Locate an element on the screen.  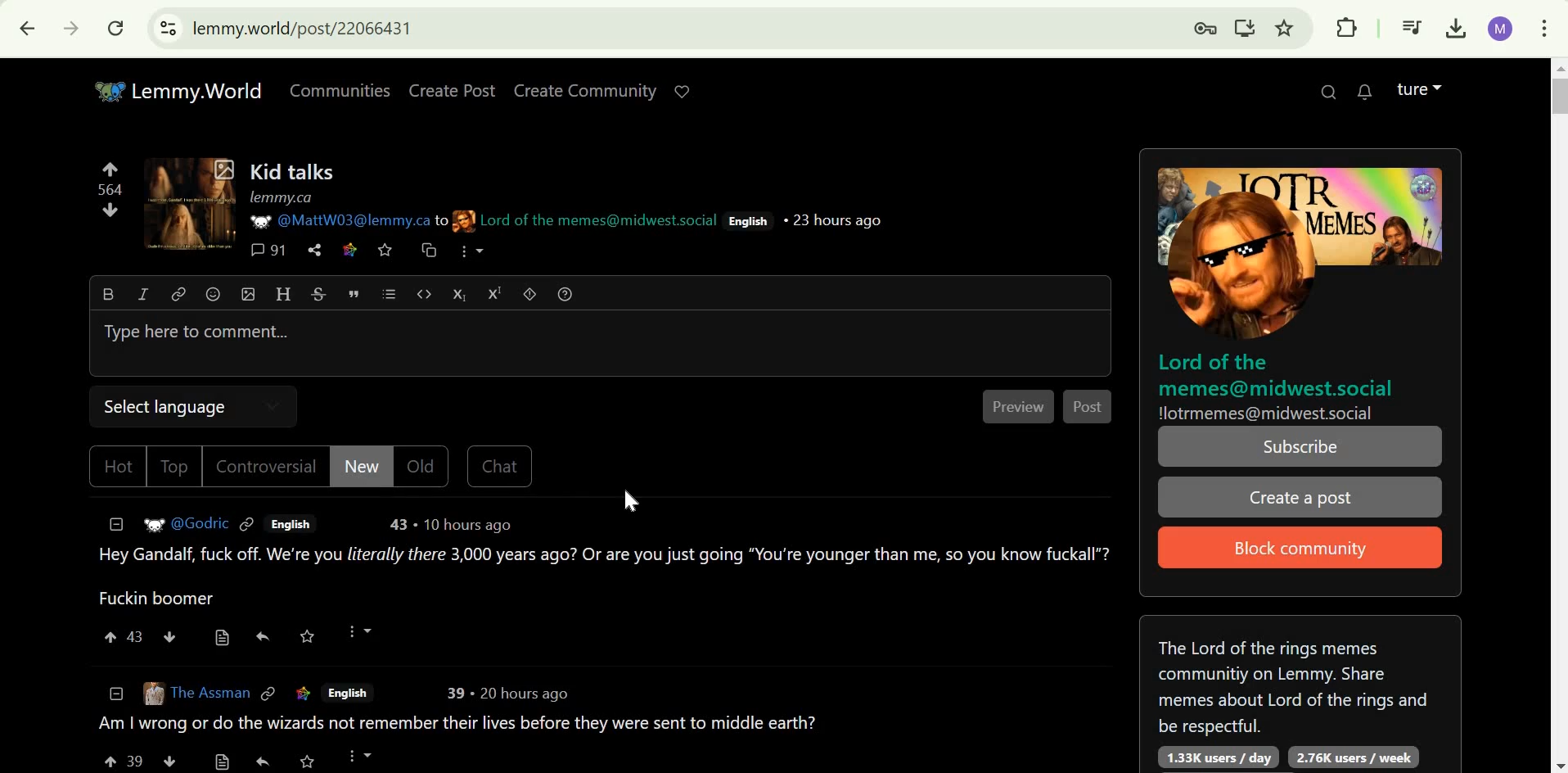
Search is located at coordinates (1327, 91).